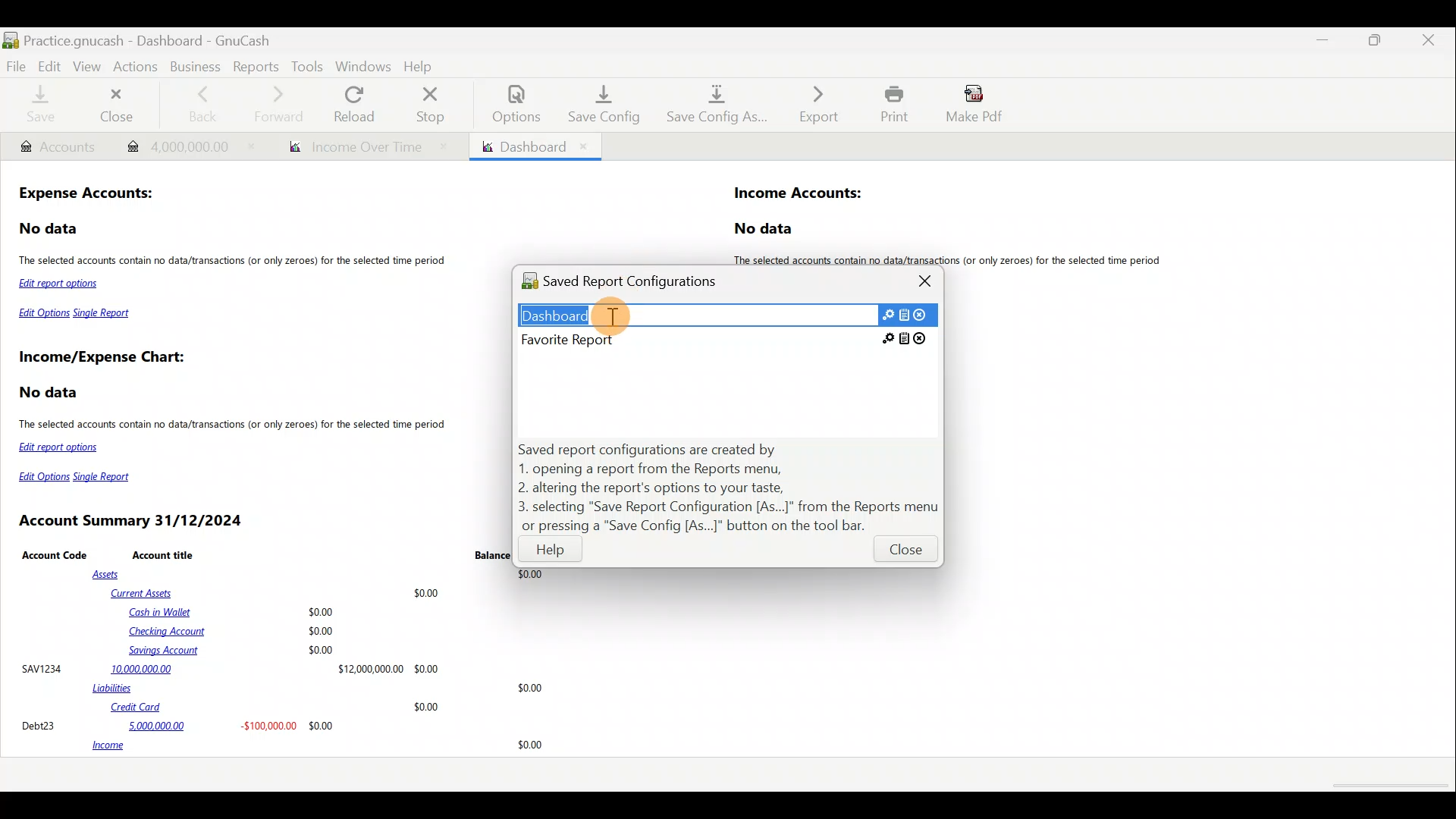  What do you see at coordinates (811, 104) in the screenshot?
I see `Export` at bounding box center [811, 104].